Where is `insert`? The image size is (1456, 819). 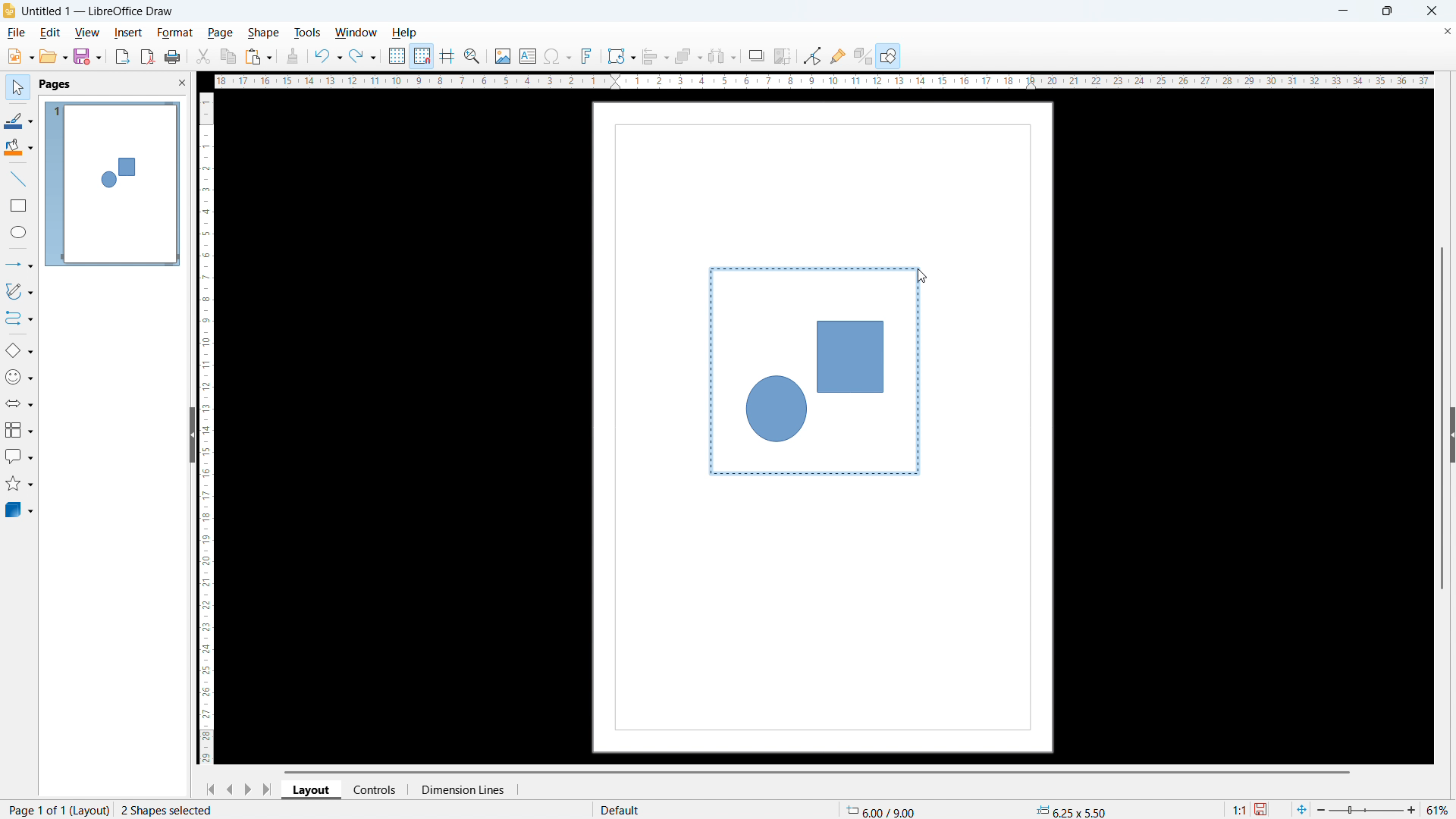 insert is located at coordinates (128, 33).